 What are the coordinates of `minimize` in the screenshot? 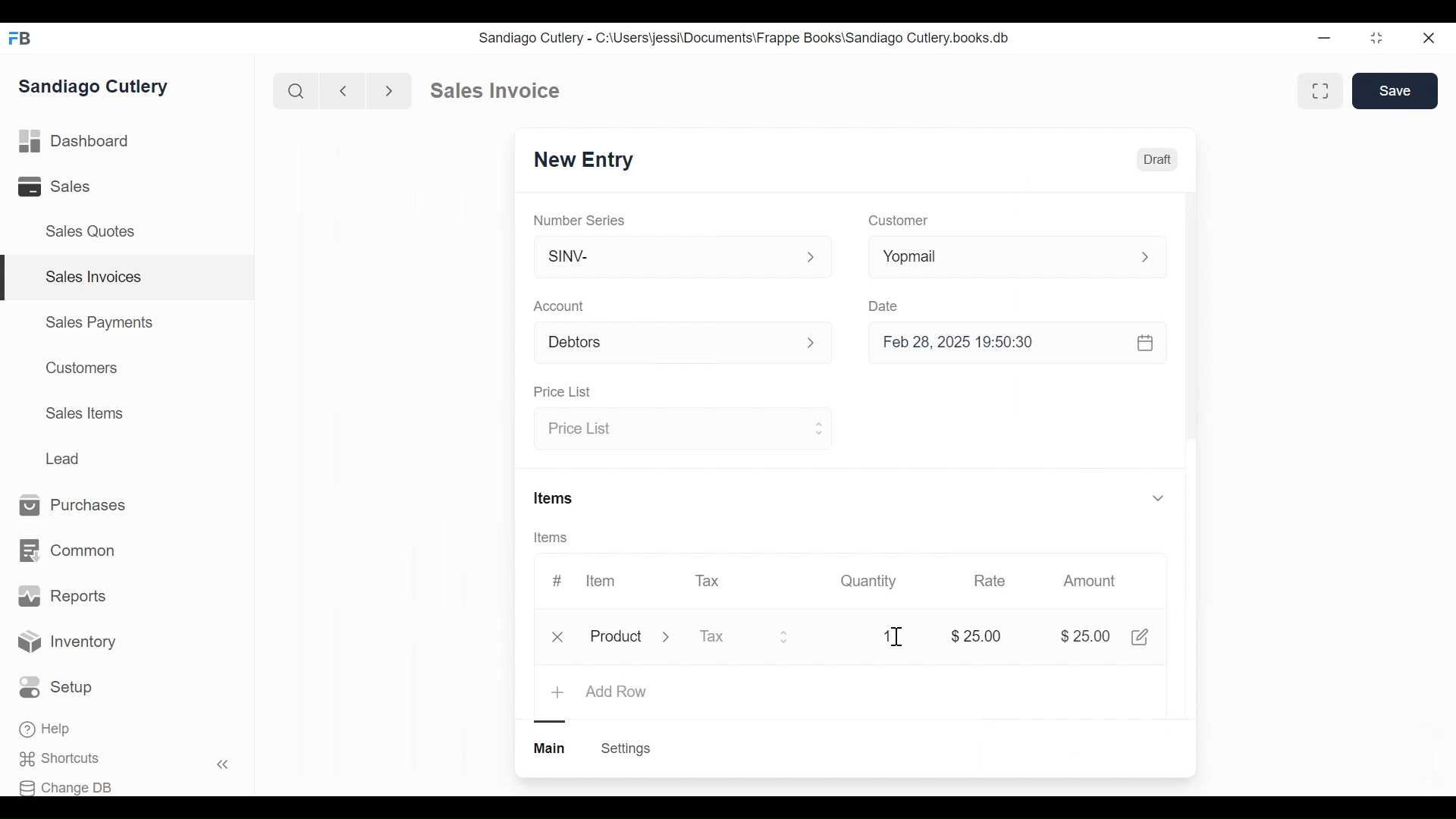 It's located at (1324, 37).